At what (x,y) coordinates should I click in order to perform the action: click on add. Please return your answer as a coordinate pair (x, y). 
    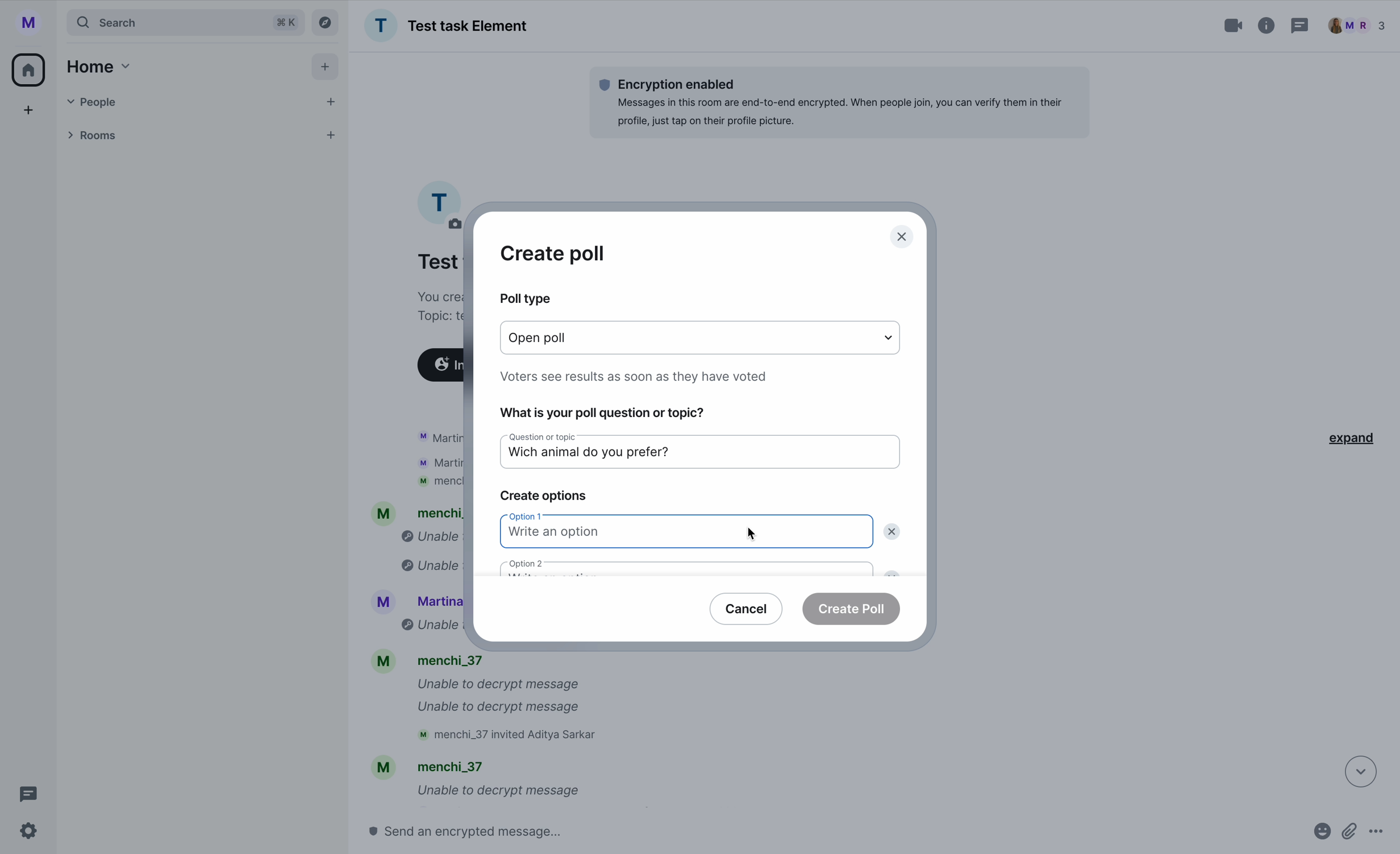
    Looking at the image, I should click on (30, 113).